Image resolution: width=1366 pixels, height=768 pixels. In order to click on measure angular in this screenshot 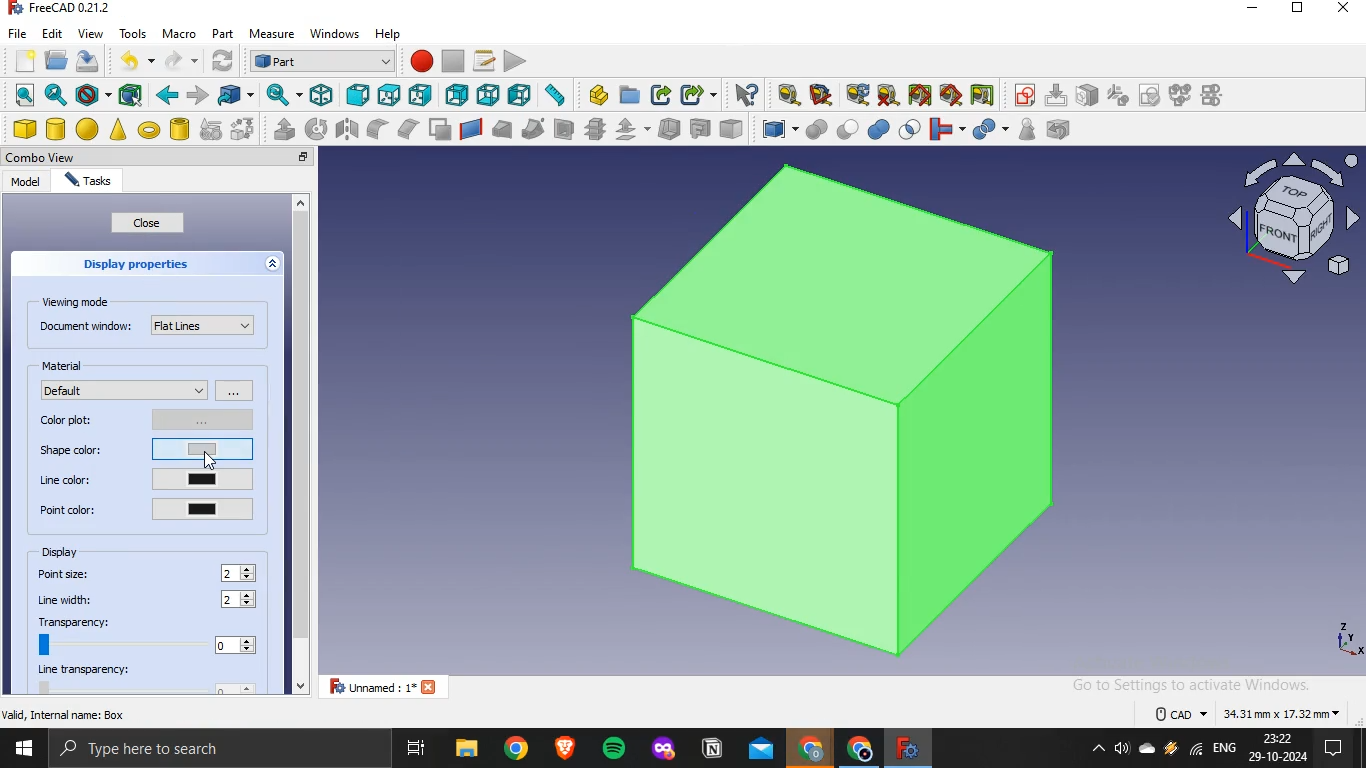, I will do `click(822, 95)`.